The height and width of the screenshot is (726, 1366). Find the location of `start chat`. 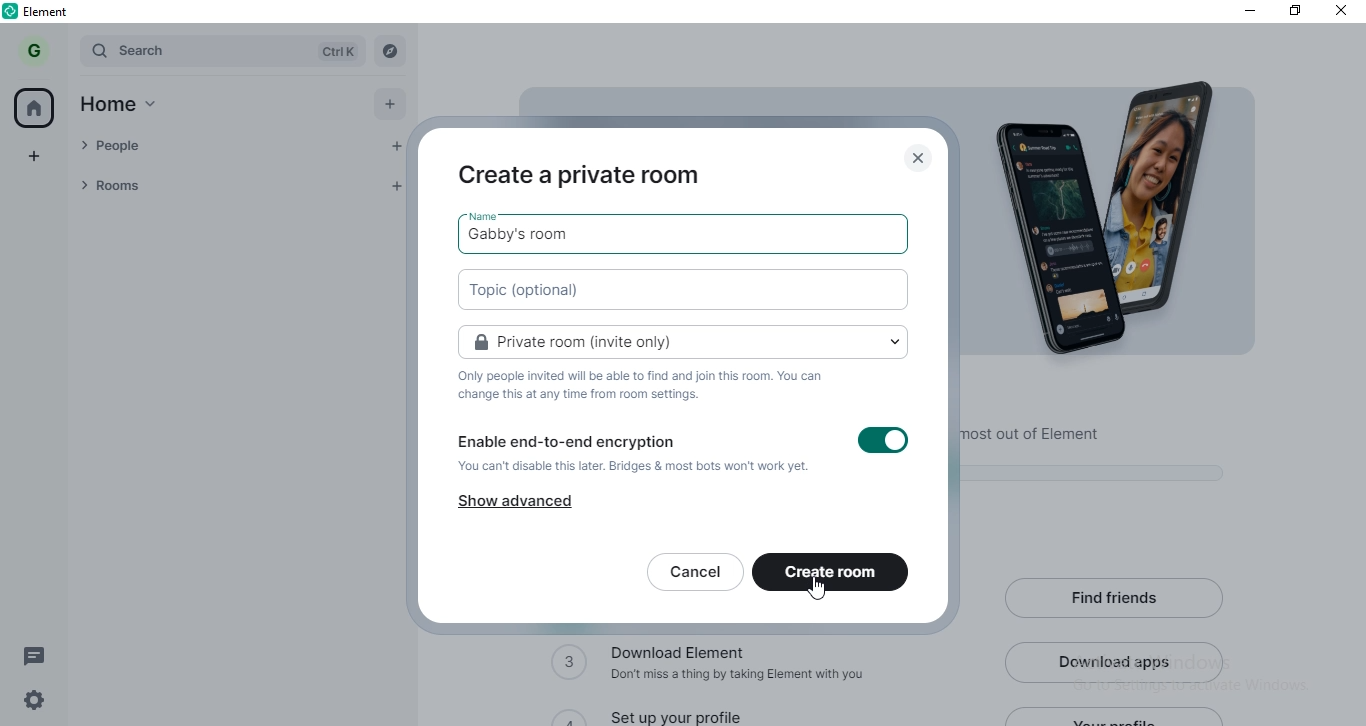

start chat is located at coordinates (396, 149).